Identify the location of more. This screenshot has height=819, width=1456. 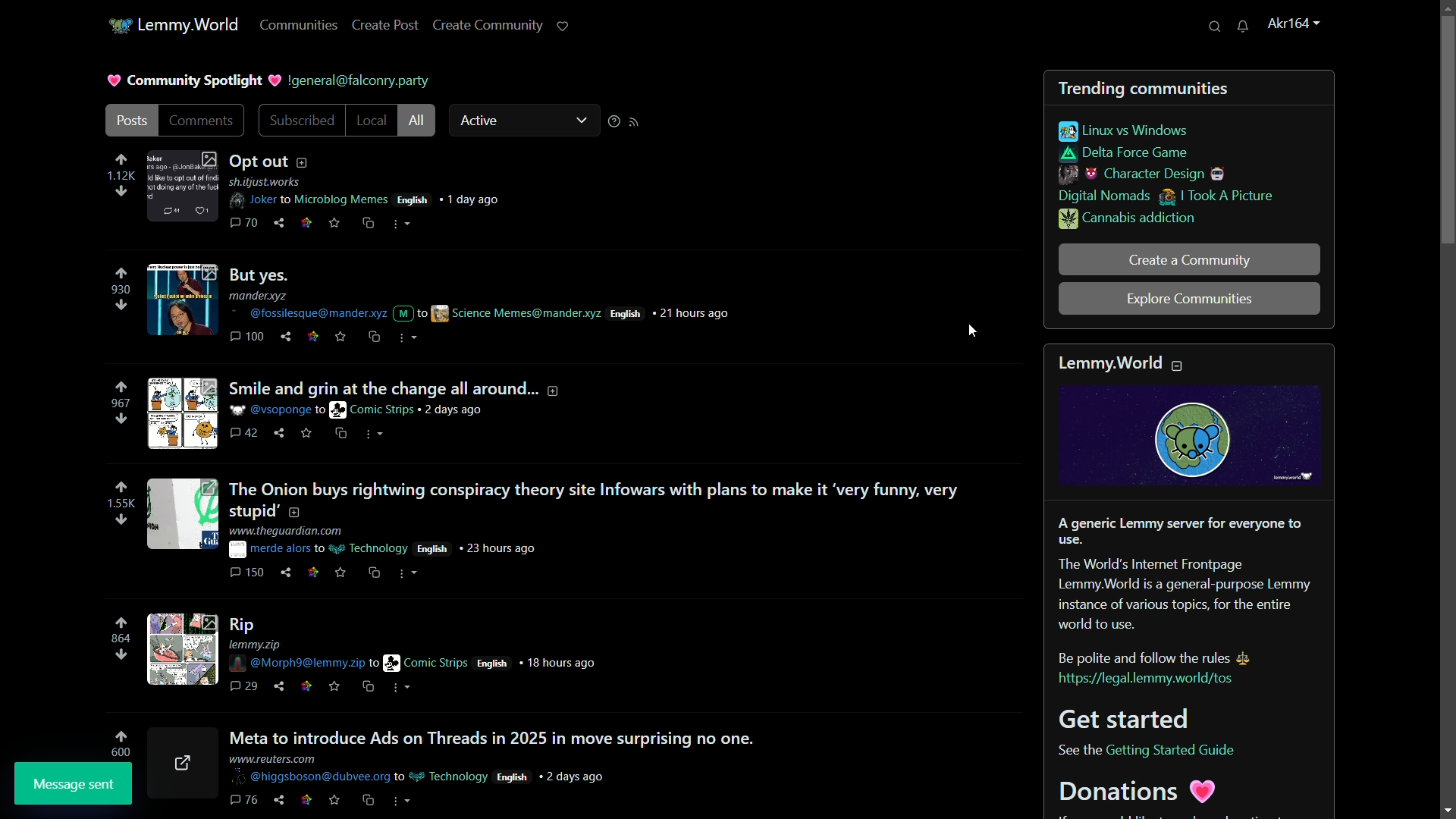
(403, 220).